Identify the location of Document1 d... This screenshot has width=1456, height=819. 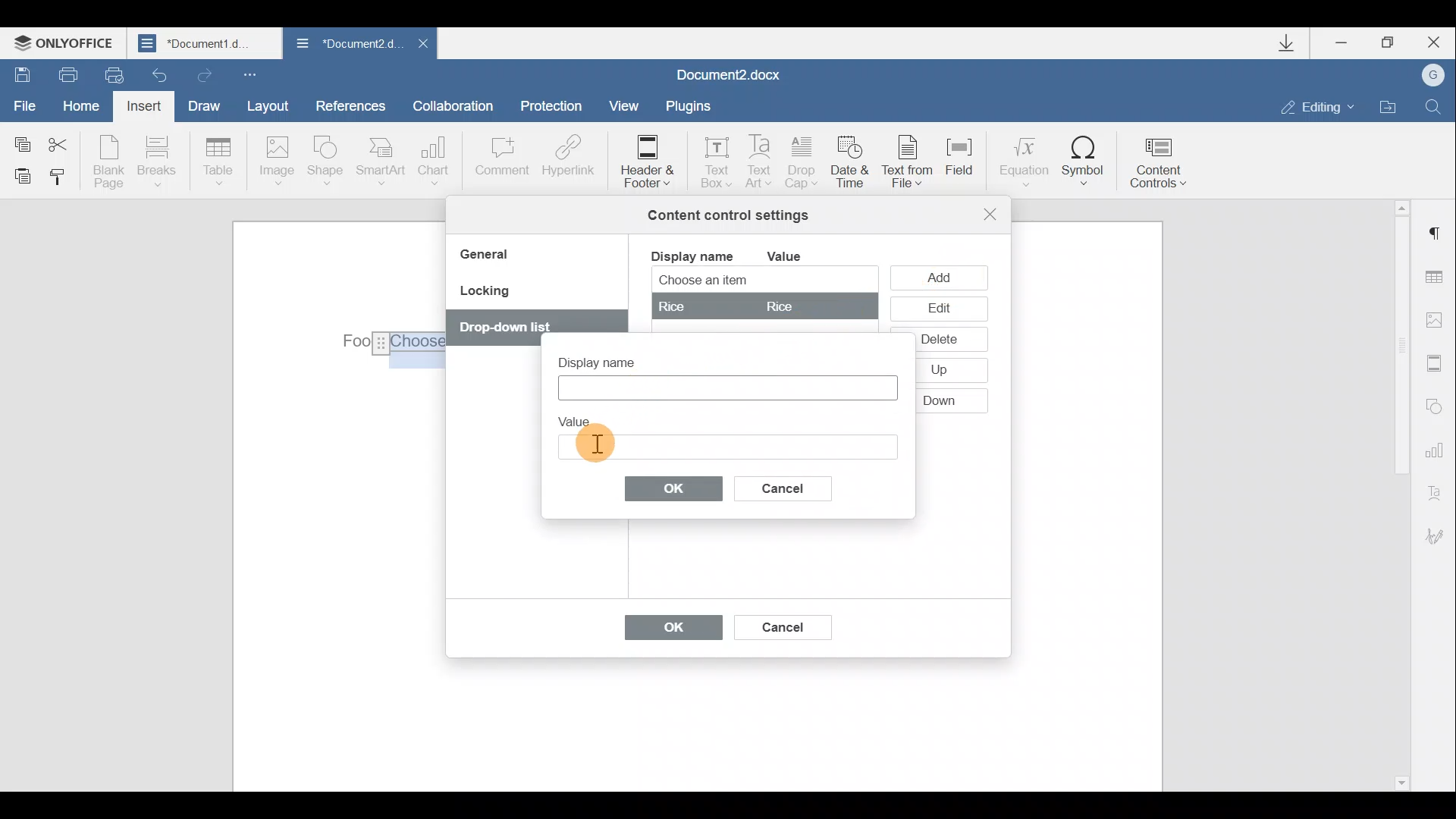
(206, 42).